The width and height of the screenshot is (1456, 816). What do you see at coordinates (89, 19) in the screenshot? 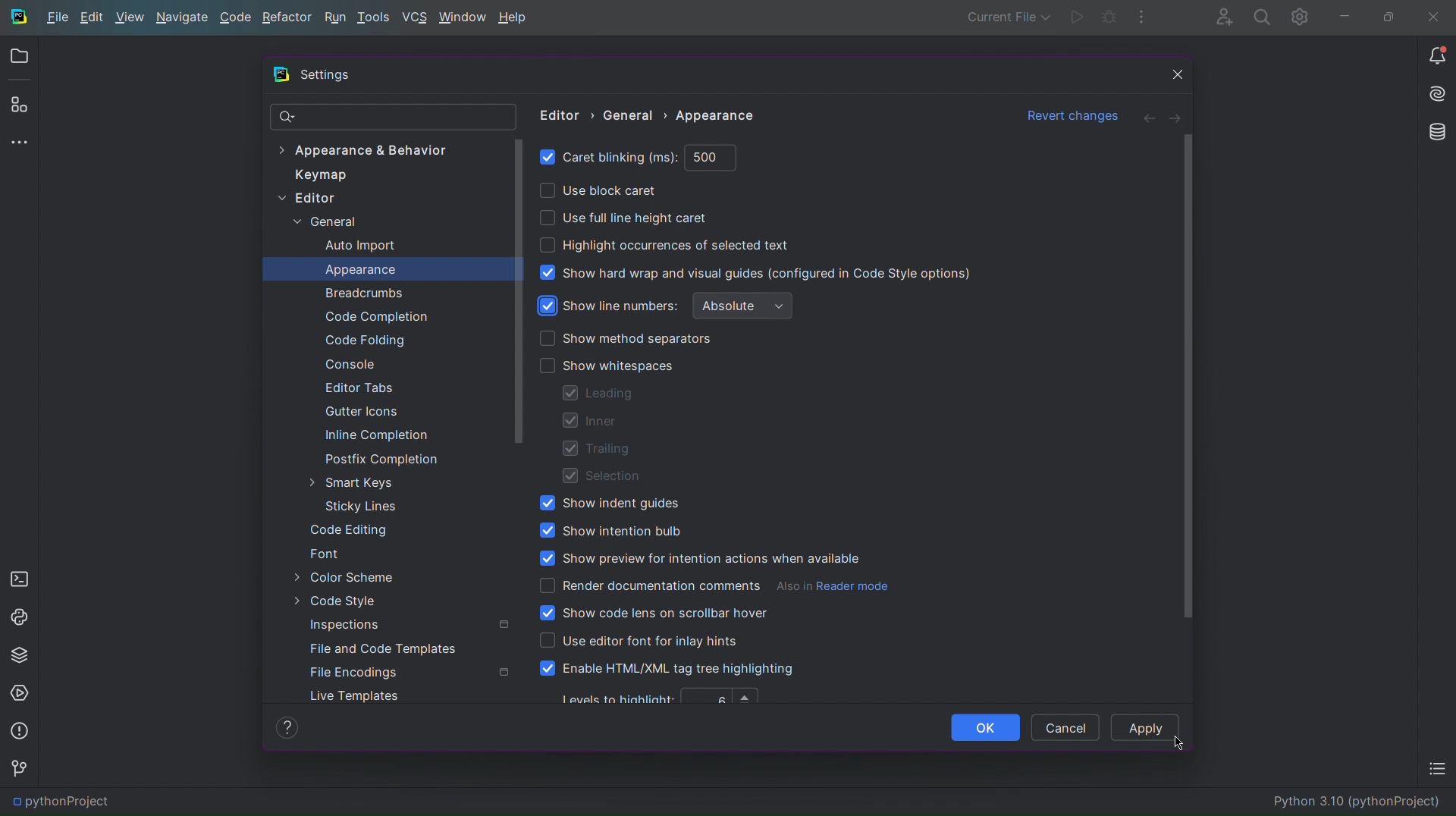
I see `Edit` at bounding box center [89, 19].